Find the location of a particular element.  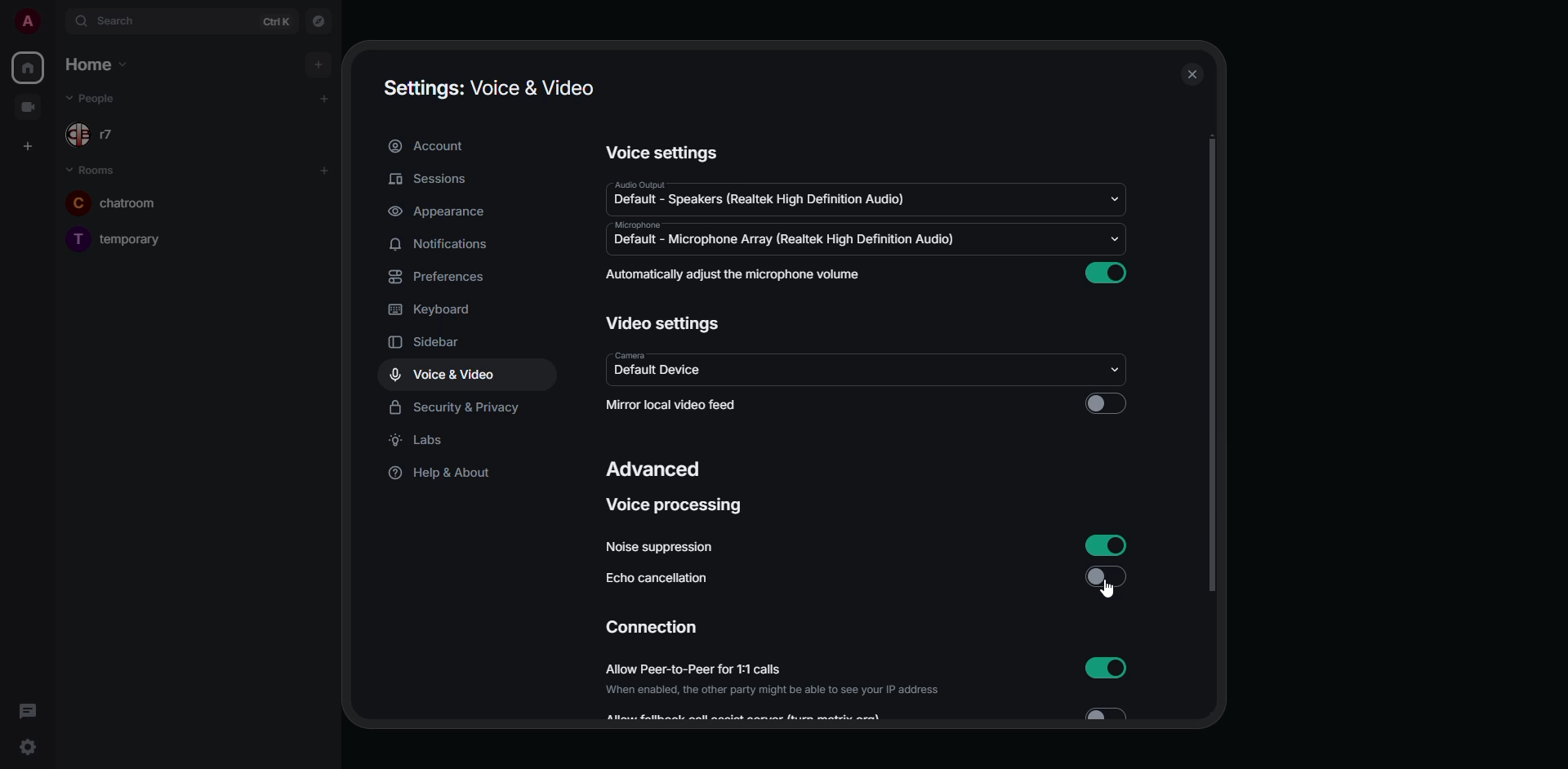

help & about is located at coordinates (439, 473).